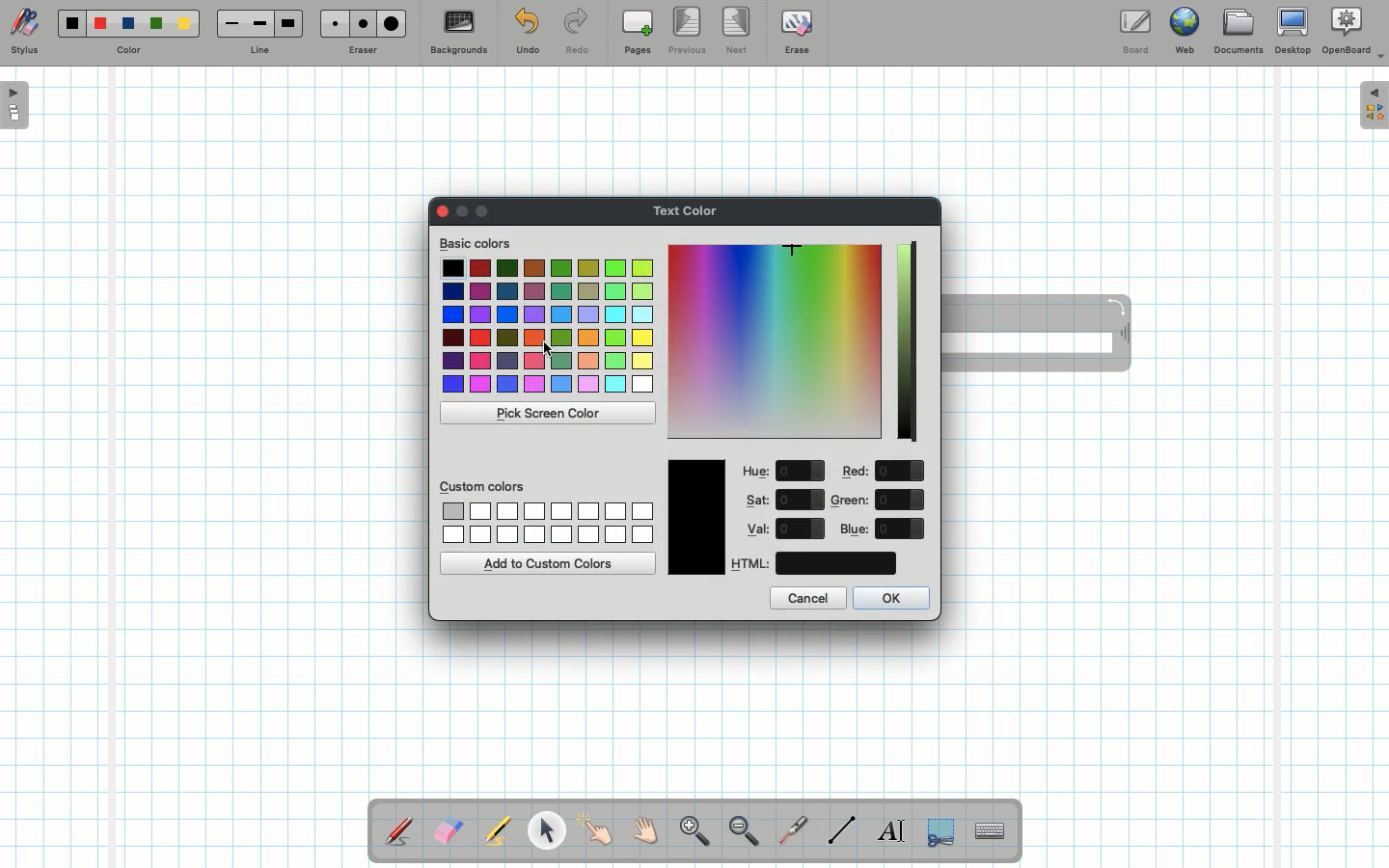 The width and height of the screenshot is (1389, 868). I want to click on value, so click(801, 472).